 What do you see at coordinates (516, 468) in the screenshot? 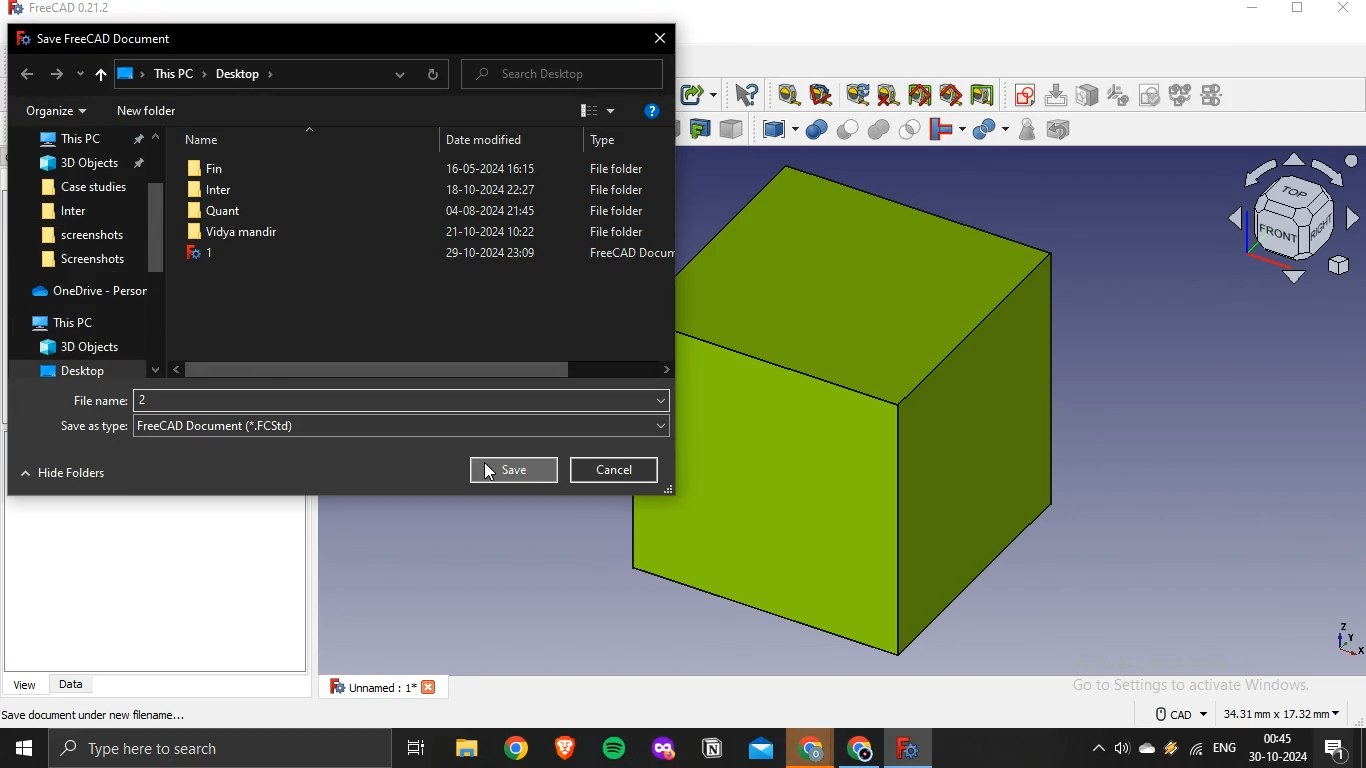
I see `Save` at bounding box center [516, 468].